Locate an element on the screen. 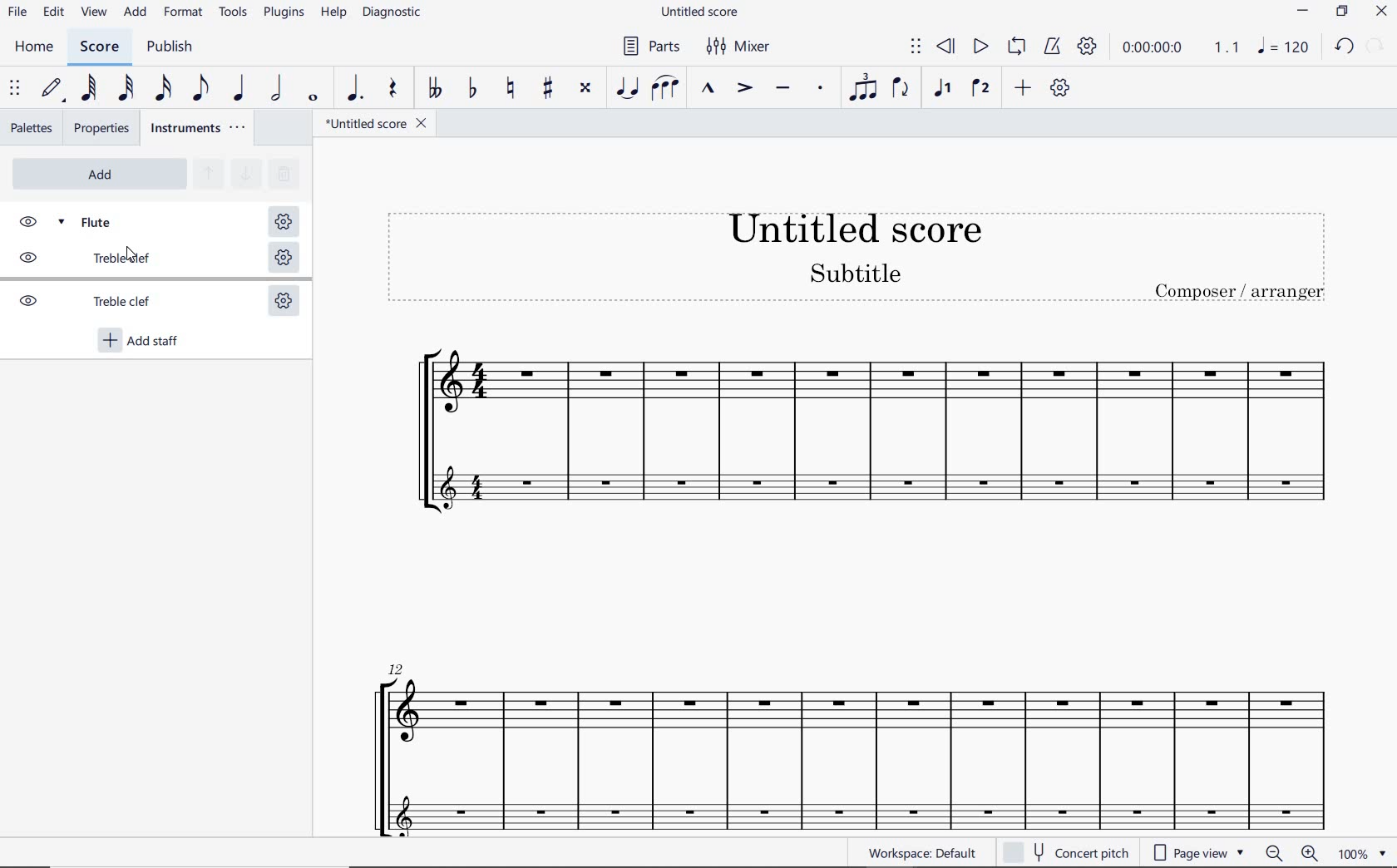  FLIP DIRECTION is located at coordinates (901, 91).